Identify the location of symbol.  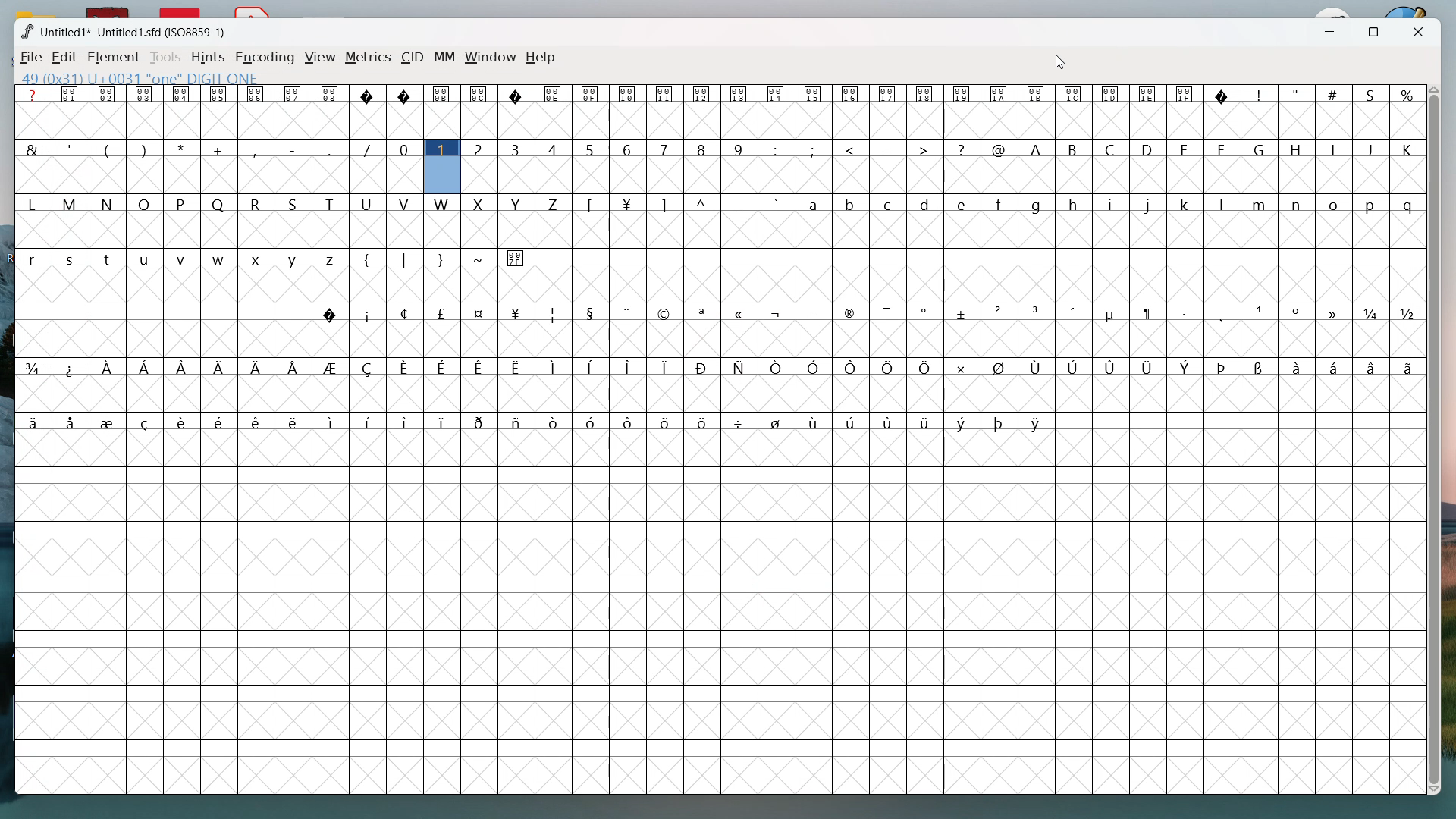
(256, 93).